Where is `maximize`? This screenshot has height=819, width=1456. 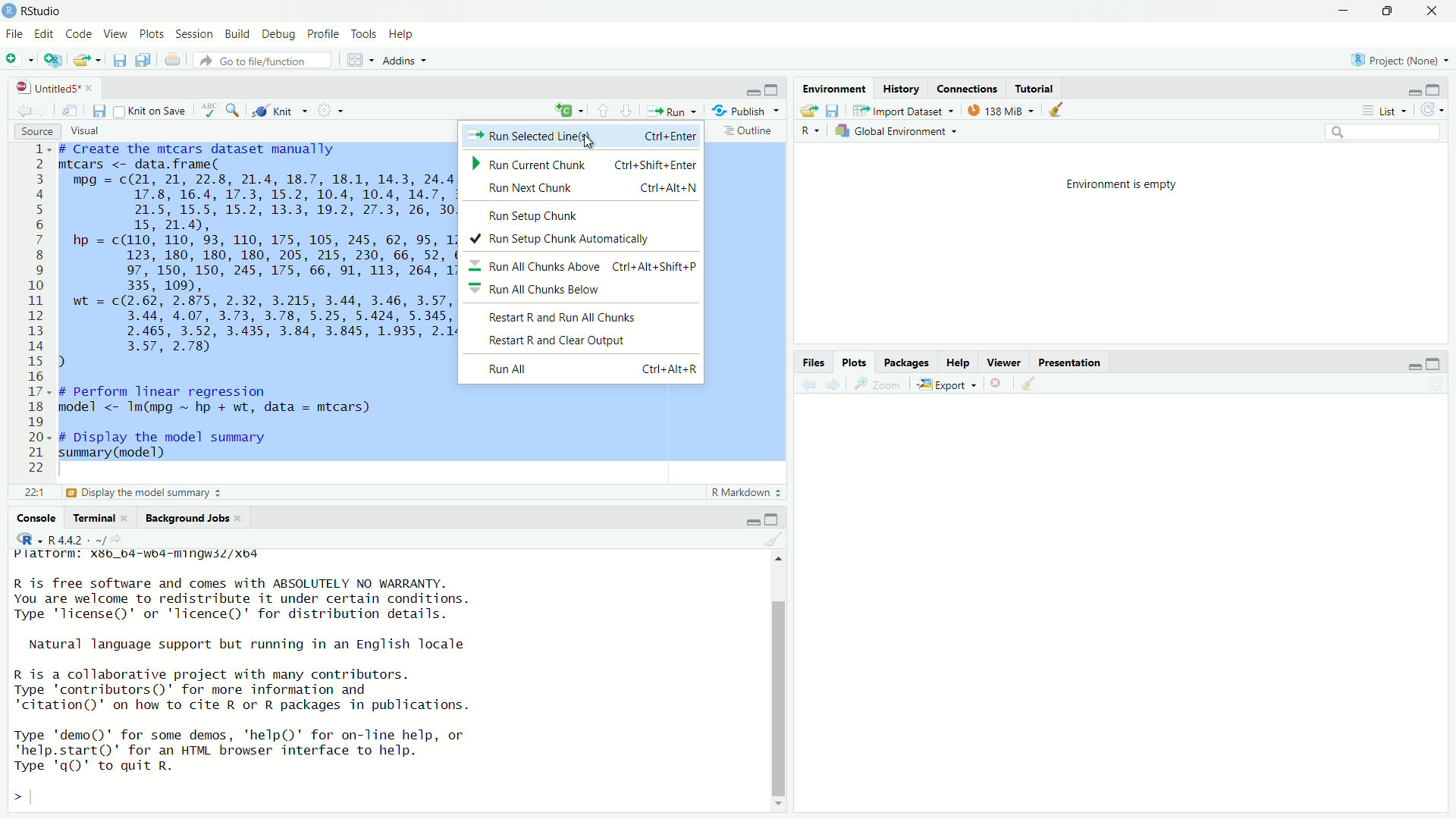
maximize is located at coordinates (1432, 90).